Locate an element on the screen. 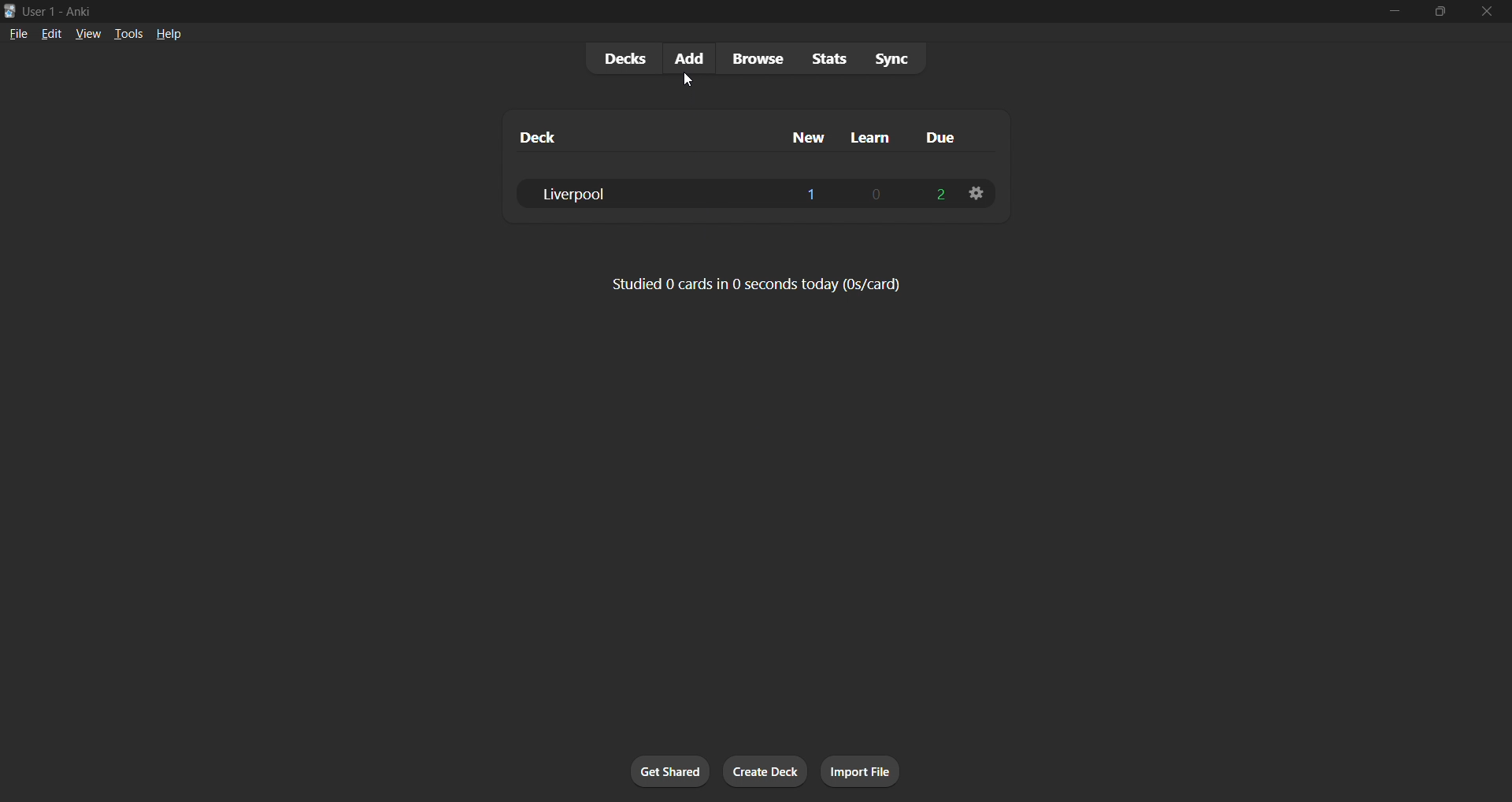 This screenshot has width=1512, height=802. maximize/restore is located at coordinates (1443, 9).